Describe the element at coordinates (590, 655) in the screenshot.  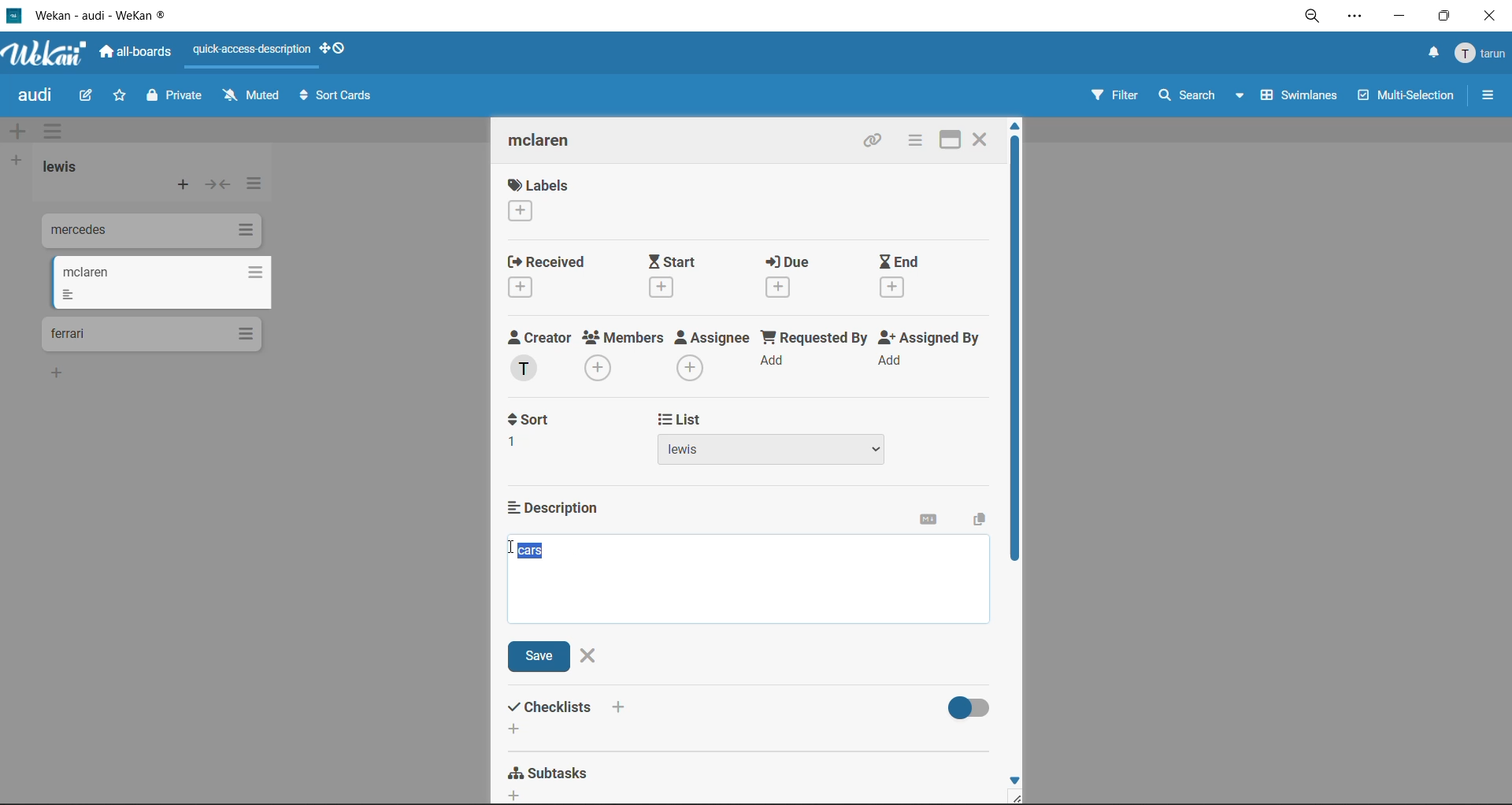
I see `close` at that location.